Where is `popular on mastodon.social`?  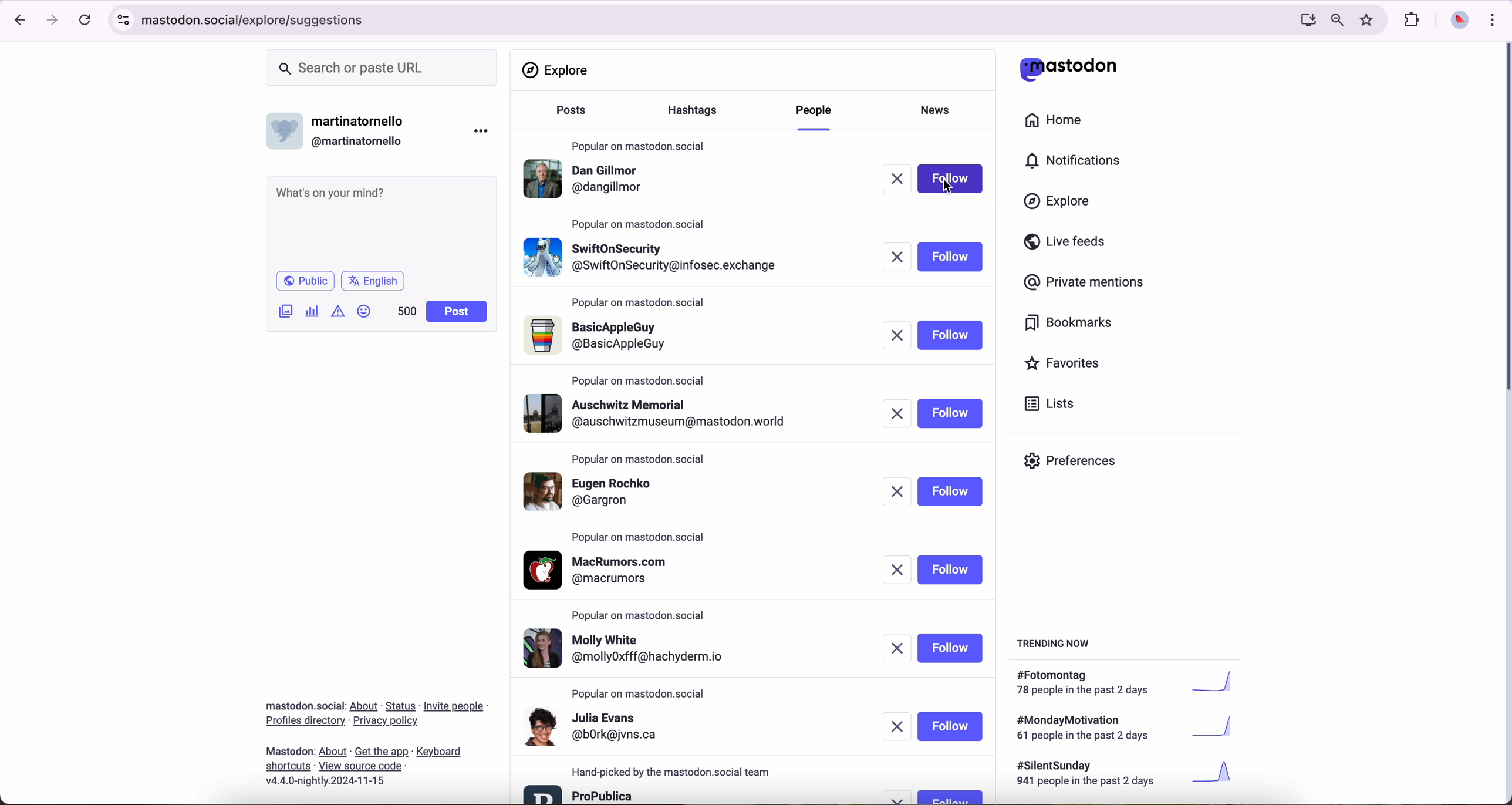
popular on mastodon.social is located at coordinates (640, 304).